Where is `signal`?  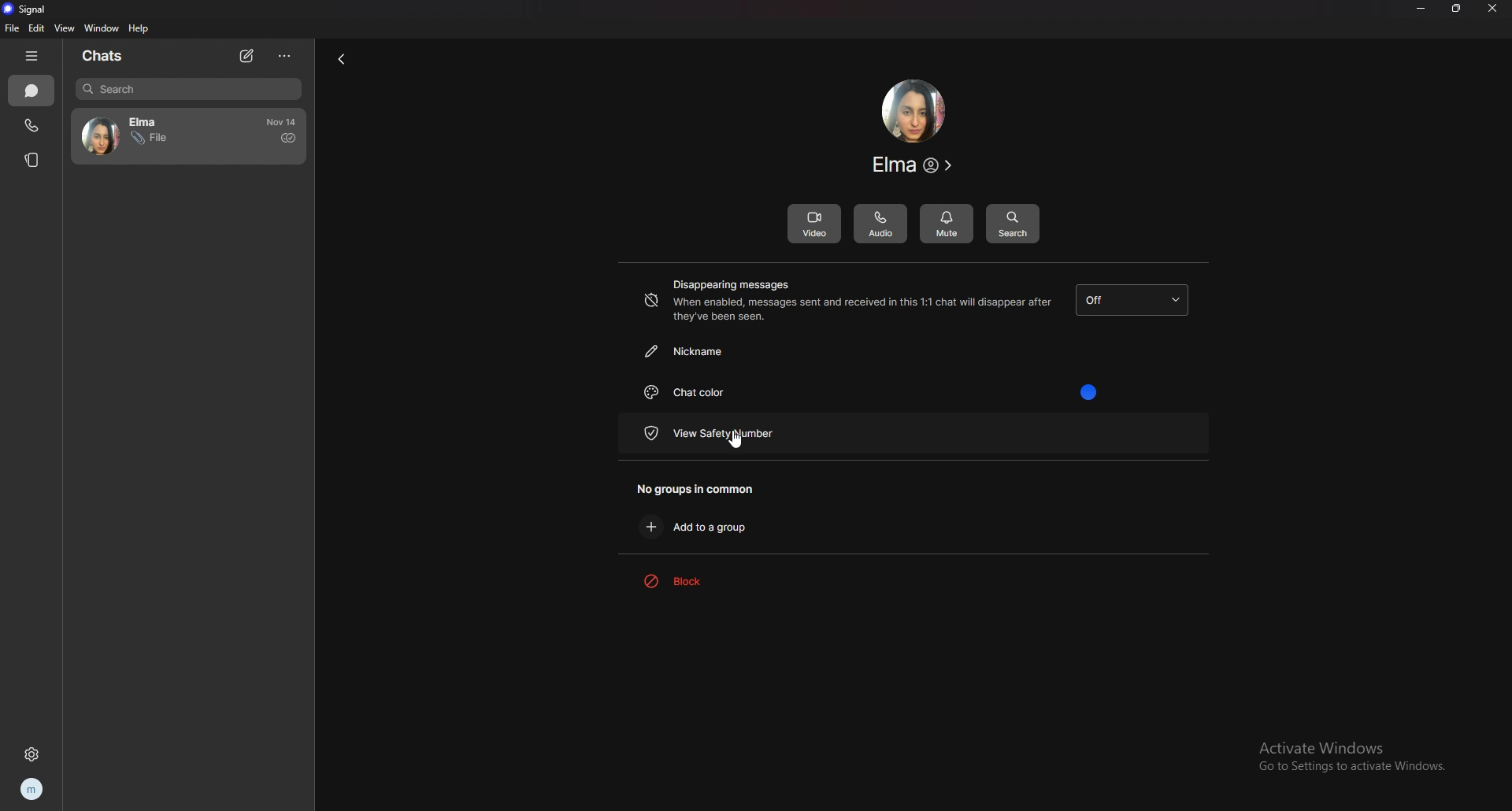
signal is located at coordinates (30, 10).